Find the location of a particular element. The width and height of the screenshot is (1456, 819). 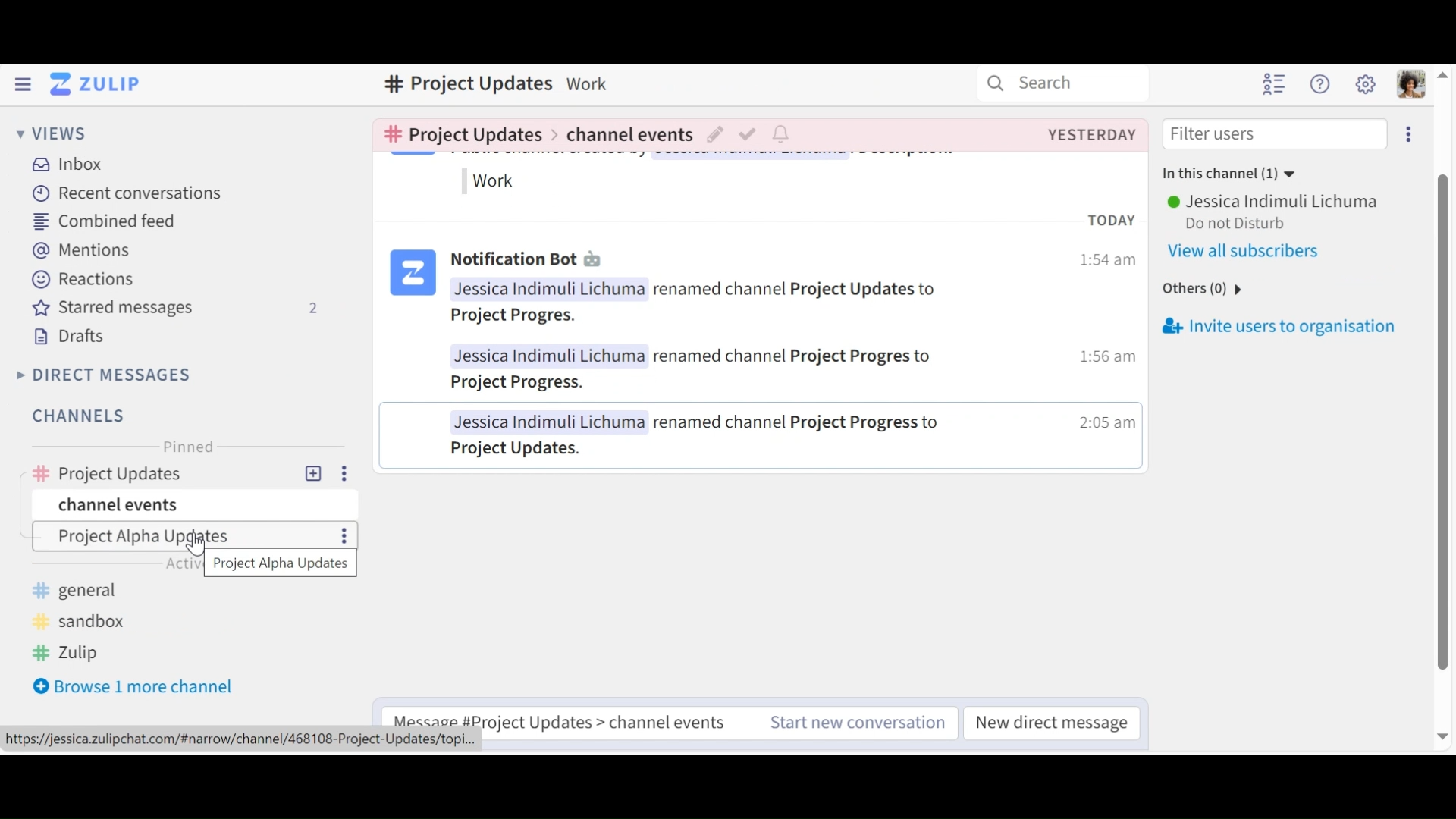

Channel is located at coordinates (181, 474).